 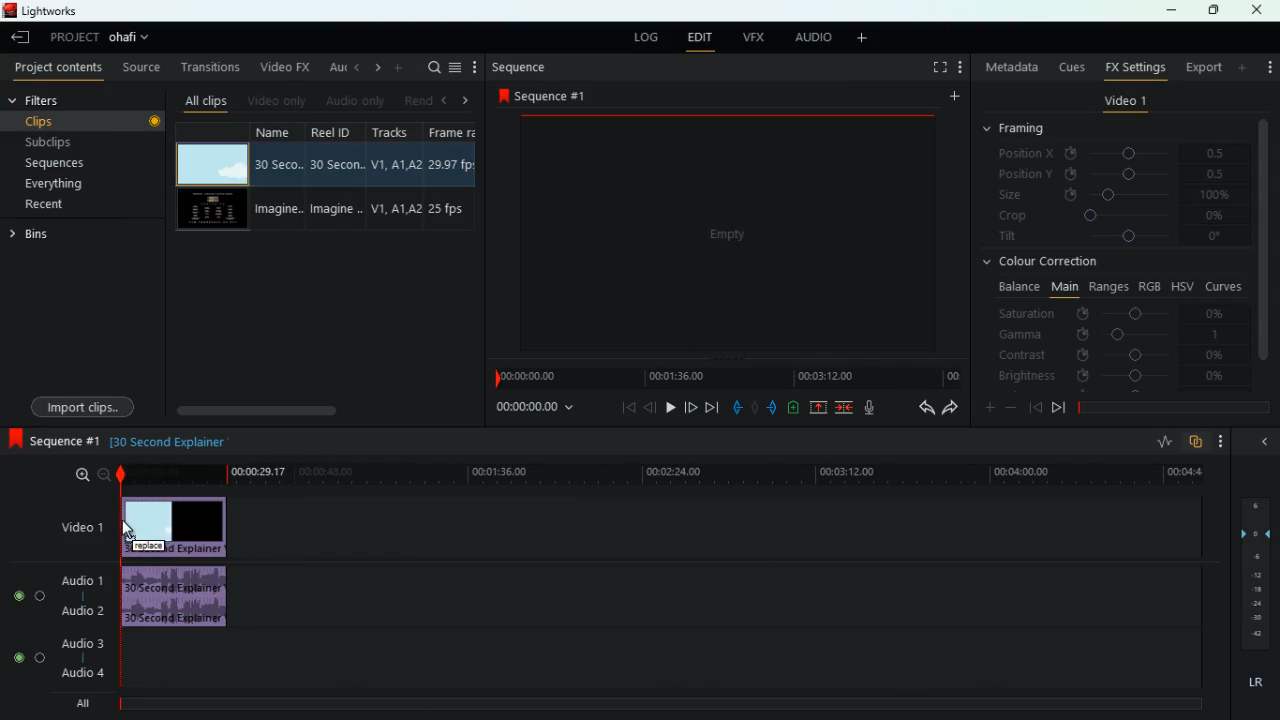 What do you see at coordinates (1263, 251) in the screenshot?
I see `vertical scroll bar` at bounding box center [1263, 251].